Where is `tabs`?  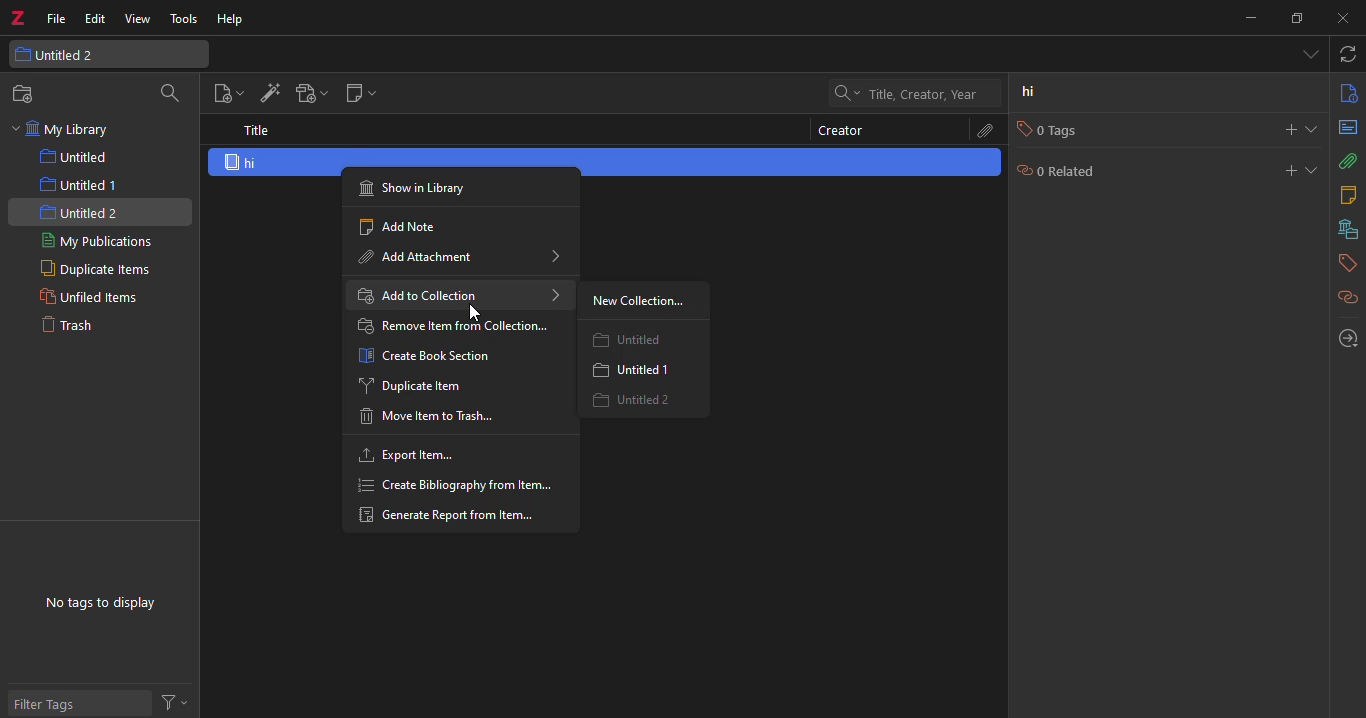 tabs is located at coordinates (1308, 54).